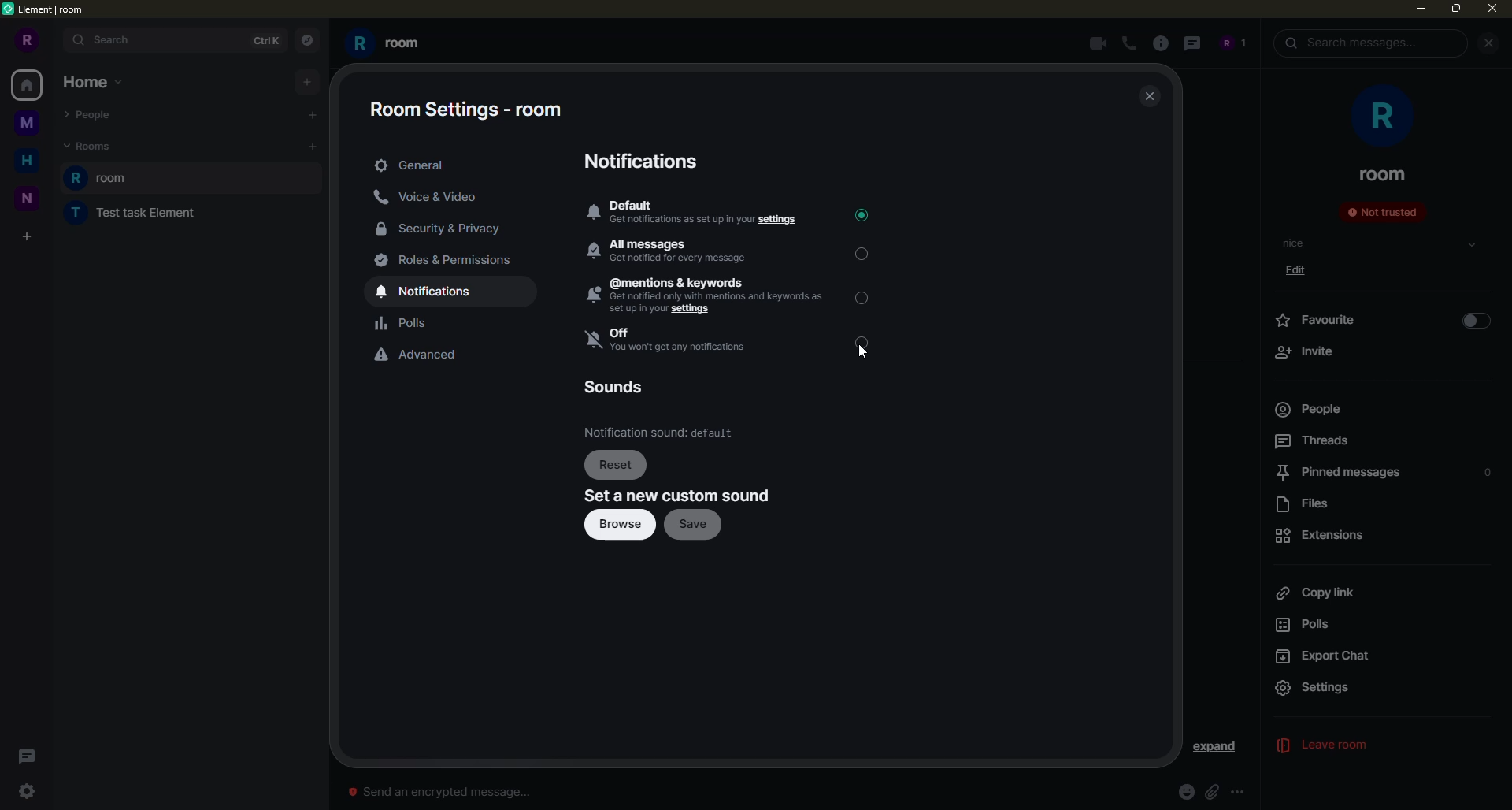 This screenshot has height=810, width=1512. What do you see at coordinates (443, 230) in the screenshot?
I see `security & privacy` at bounding box center [443, 230].